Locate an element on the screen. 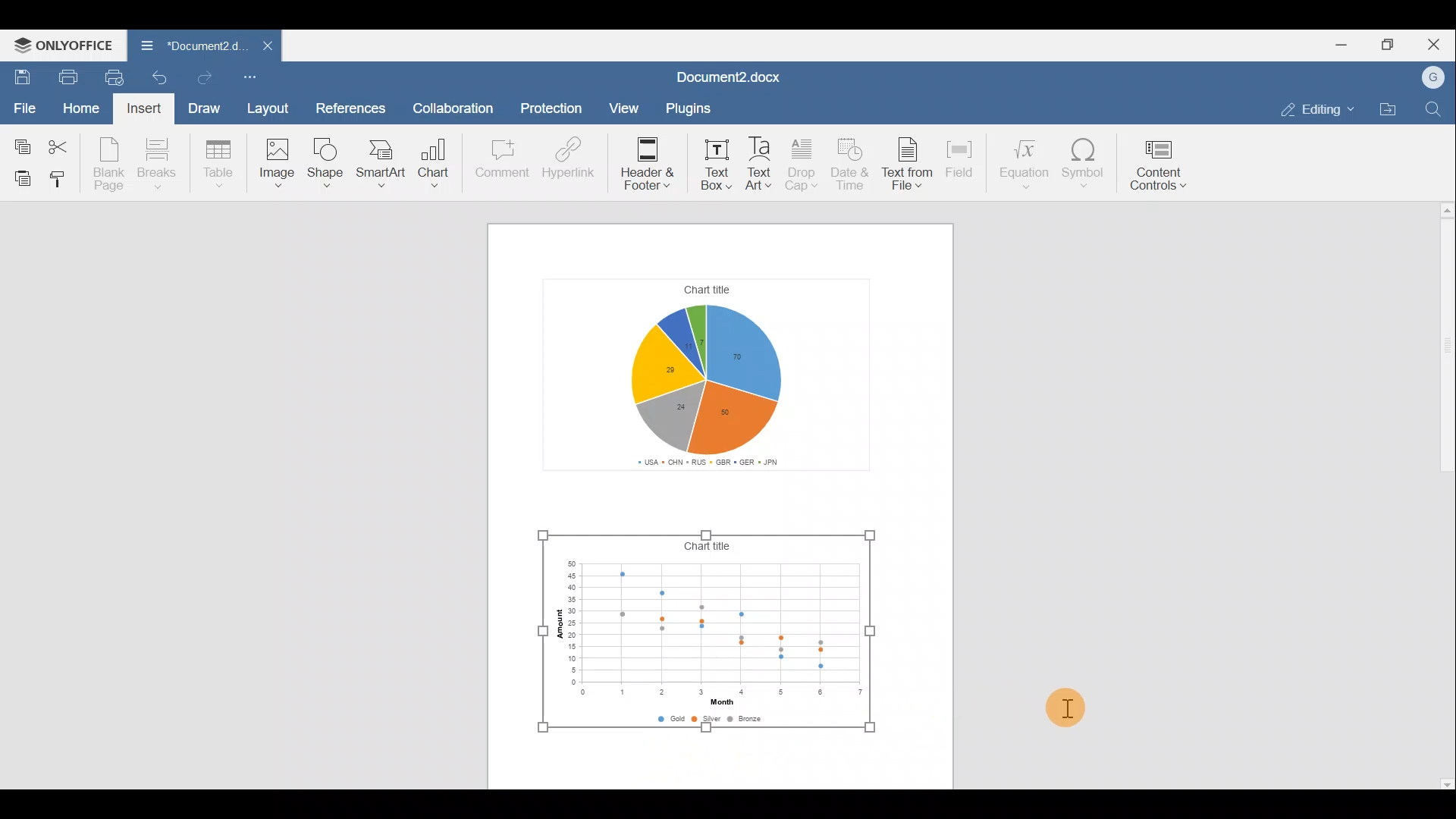 The width and height of the screenshot is (1456, 819). Account name is located at coordinates (1434, 75).